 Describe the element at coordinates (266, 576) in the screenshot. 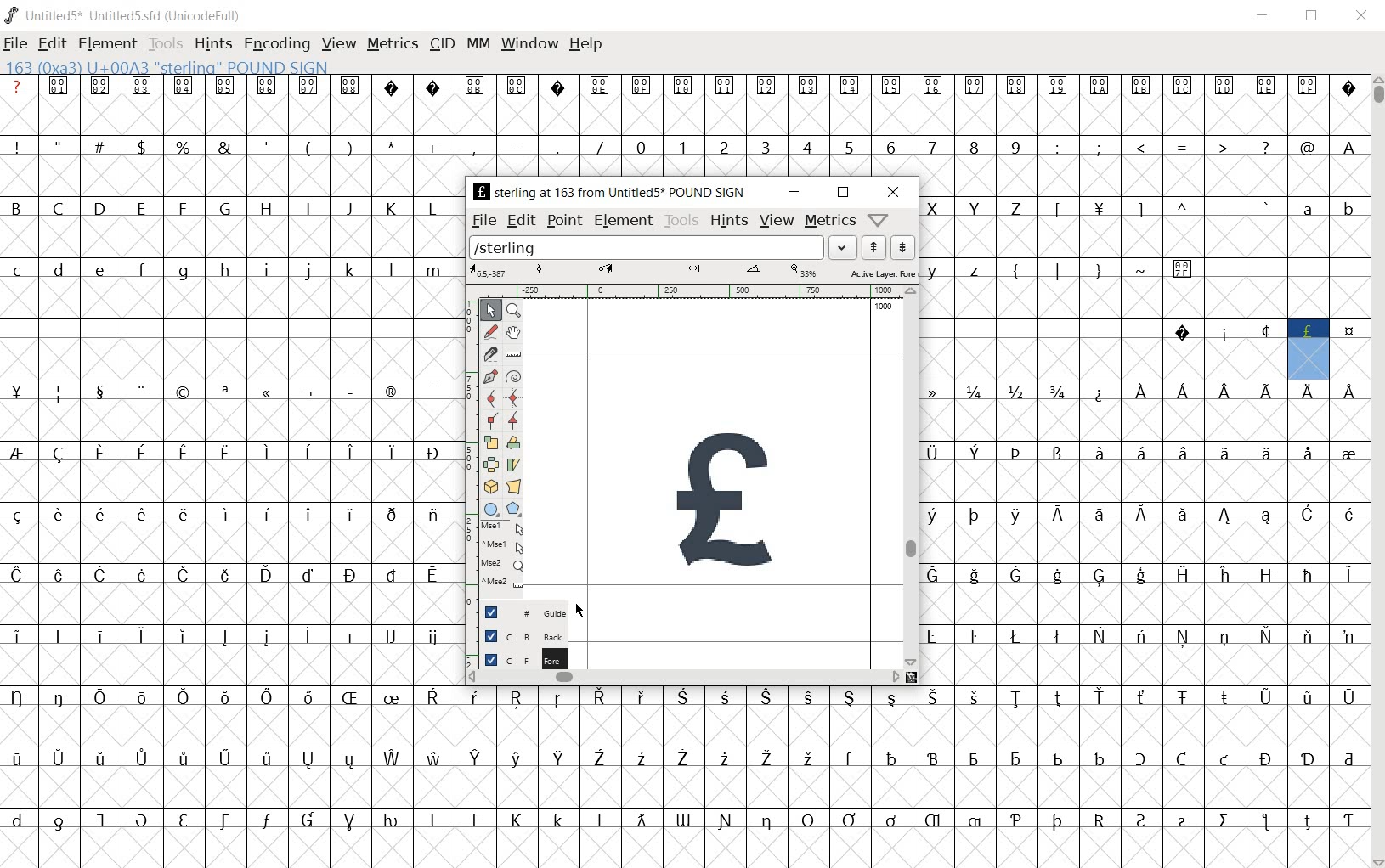

I see `Symbol` at that location.